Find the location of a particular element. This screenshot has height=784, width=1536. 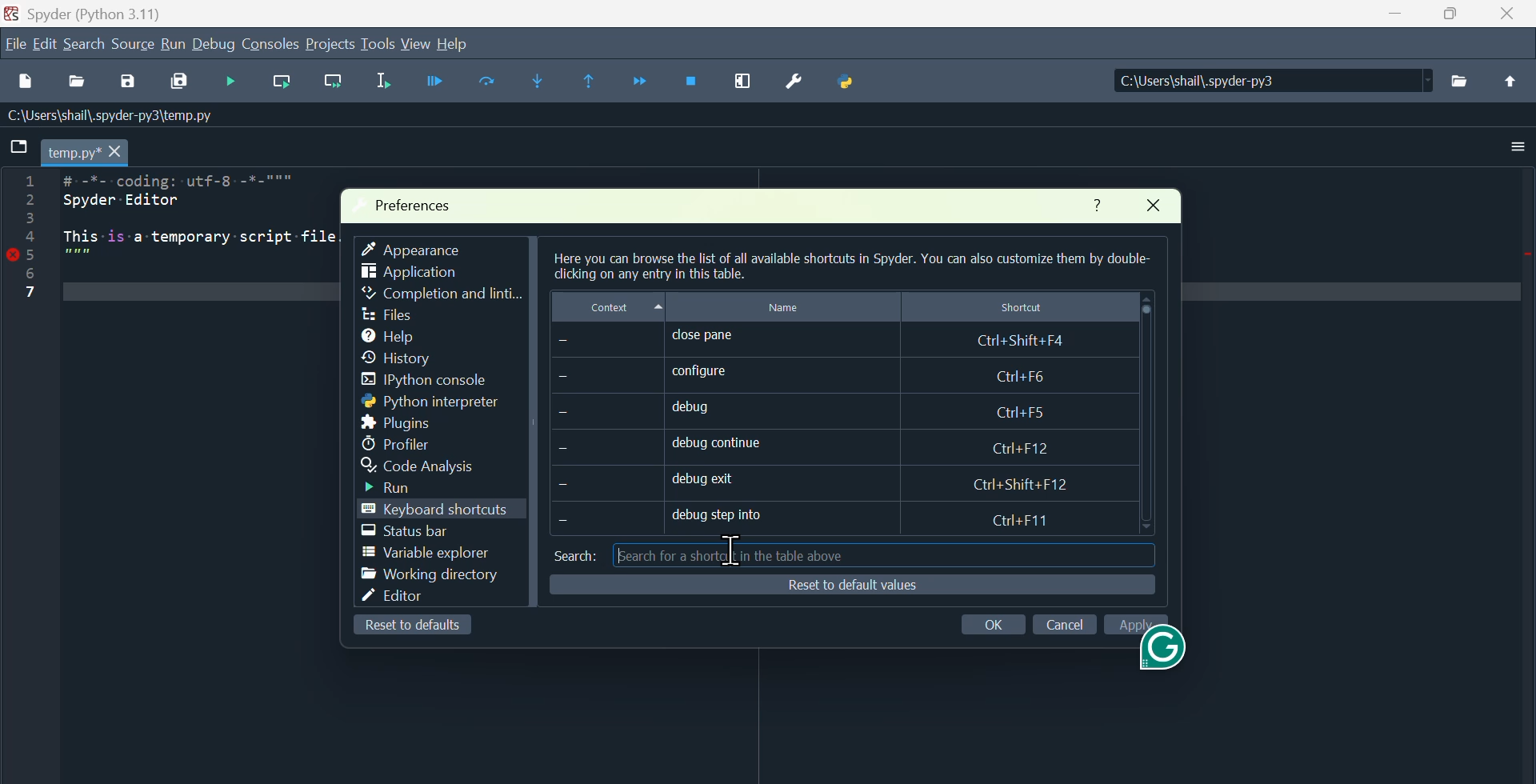

File Upload is located at coordinates (1510, 90).